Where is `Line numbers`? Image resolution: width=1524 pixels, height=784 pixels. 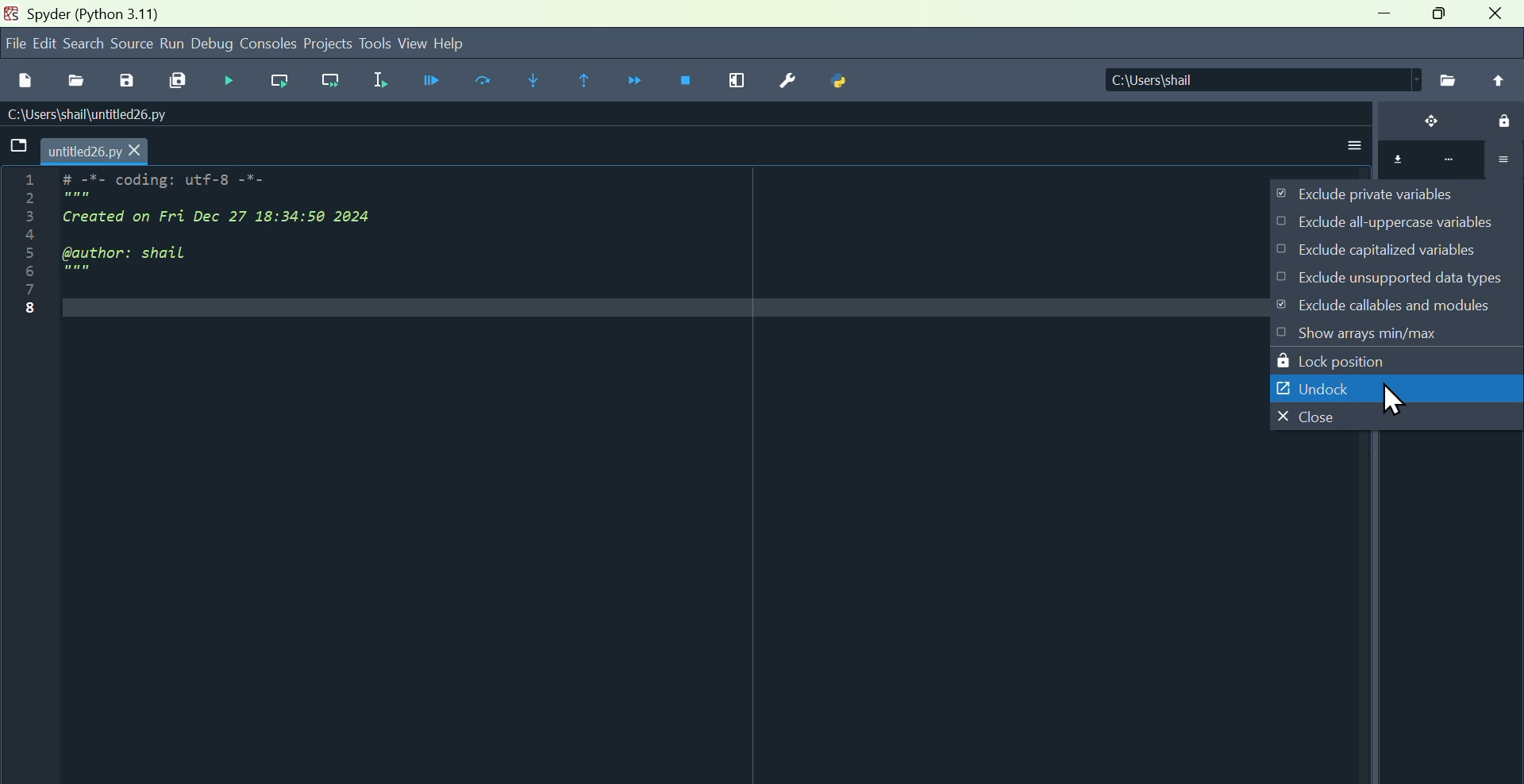 Line numbers is located at coordinates (20, 252).